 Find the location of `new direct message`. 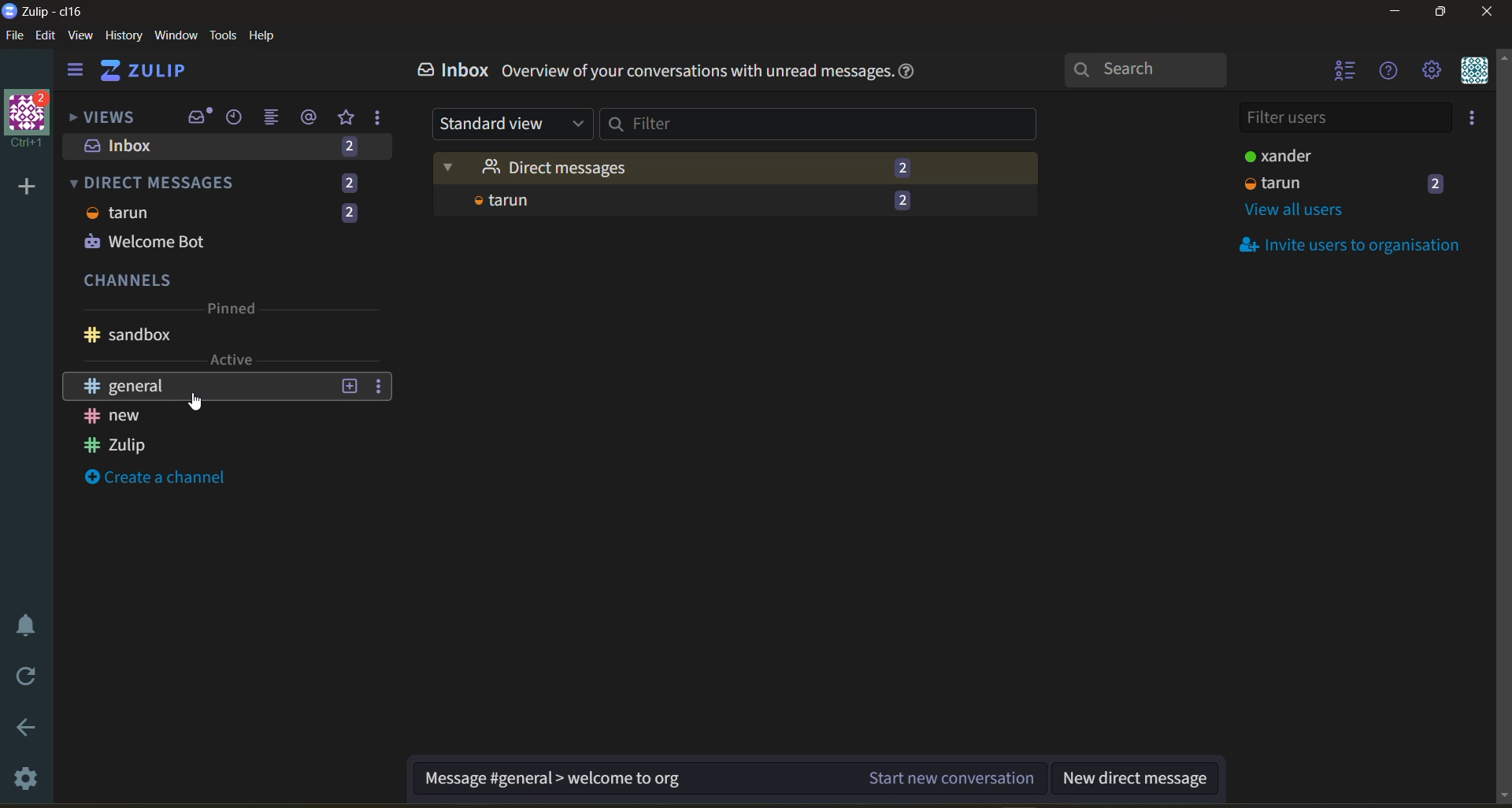

new direct message is located at coordinates (1142, 776).